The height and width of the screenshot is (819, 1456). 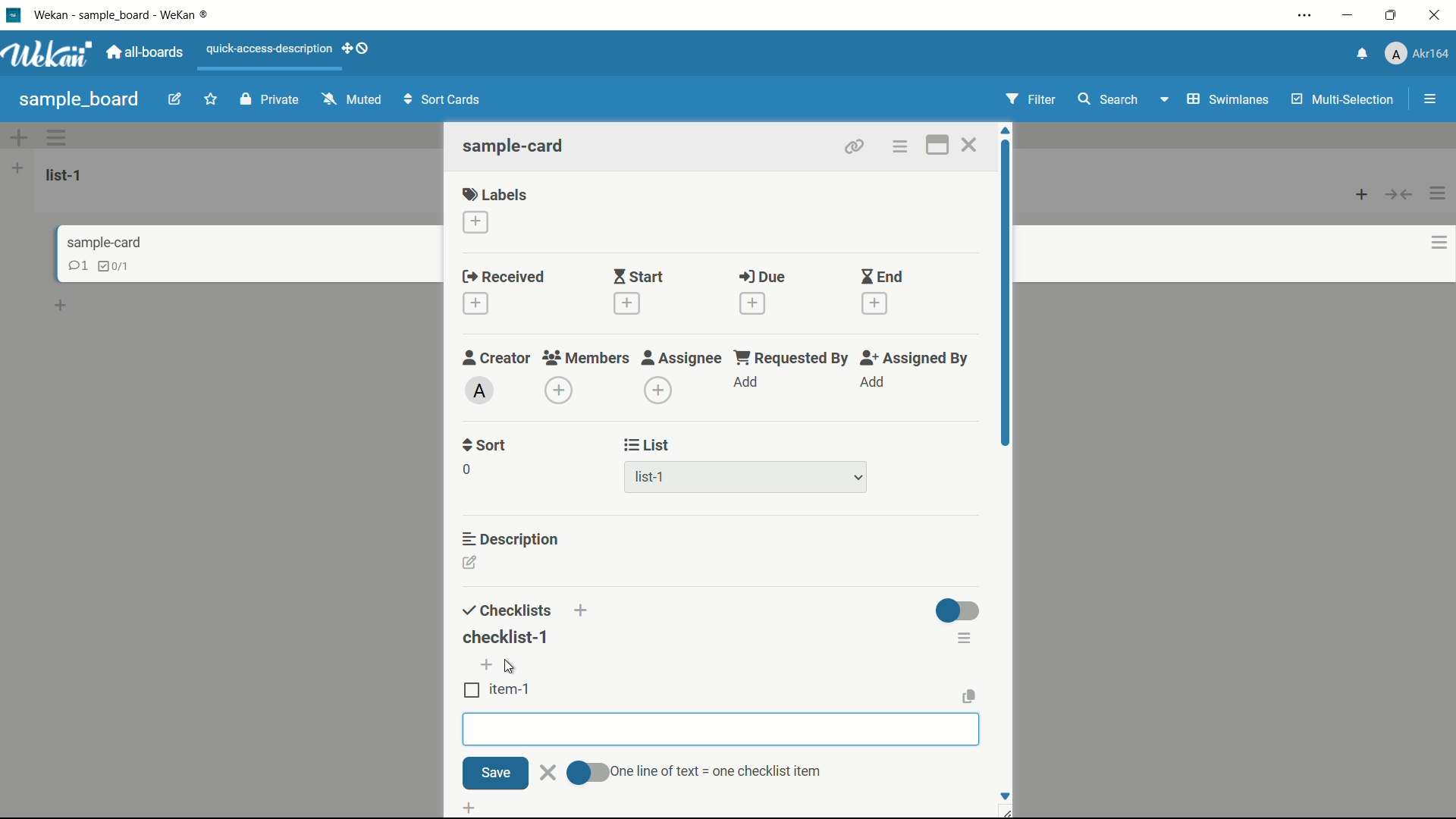 I want to click on copy card link to clipboard, so click(x=855, y=148).